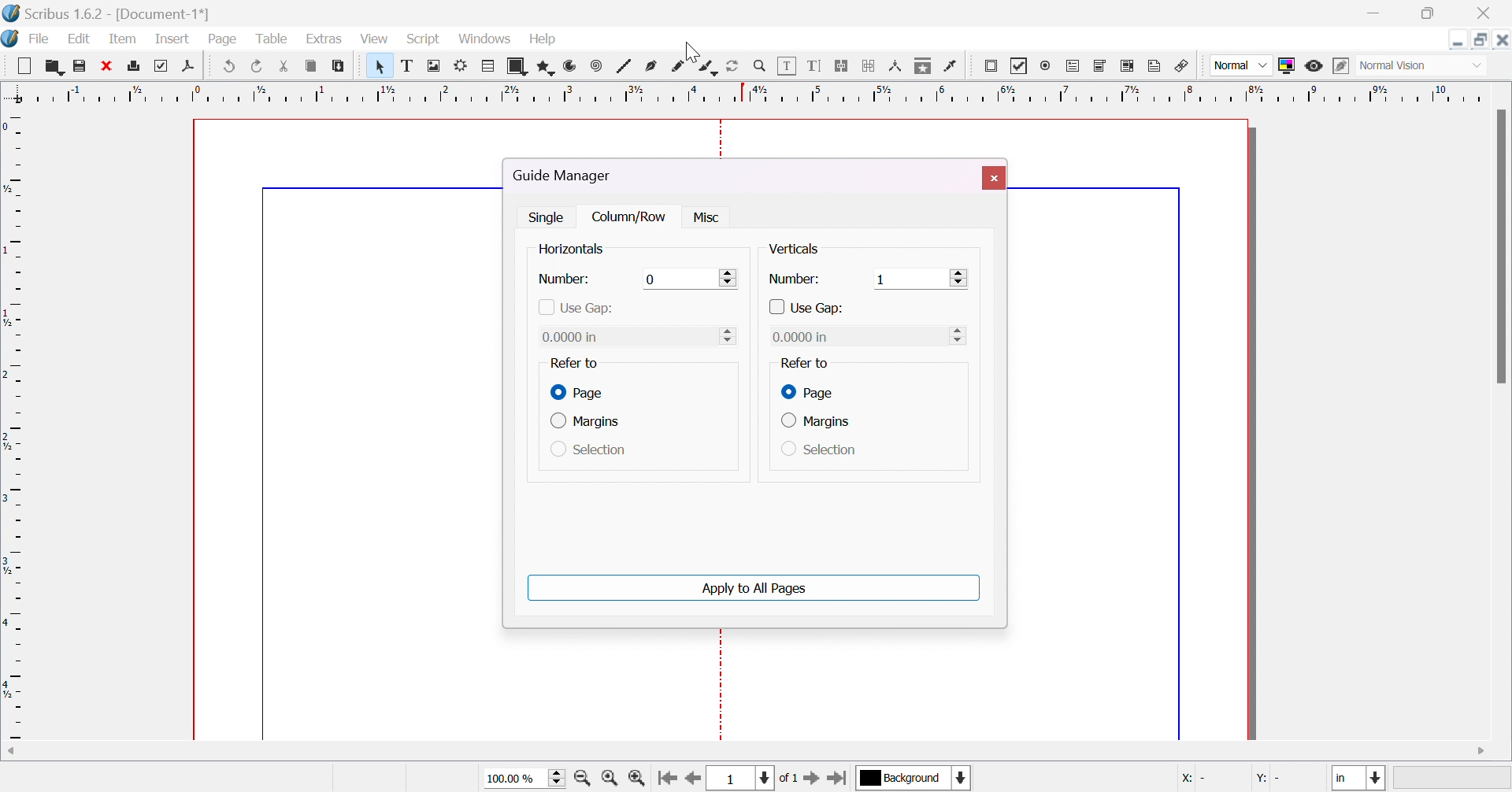  What do you see at coordinates (632, 217) in the screenshot?
I see `column /row` at bounding box center [632, 217].